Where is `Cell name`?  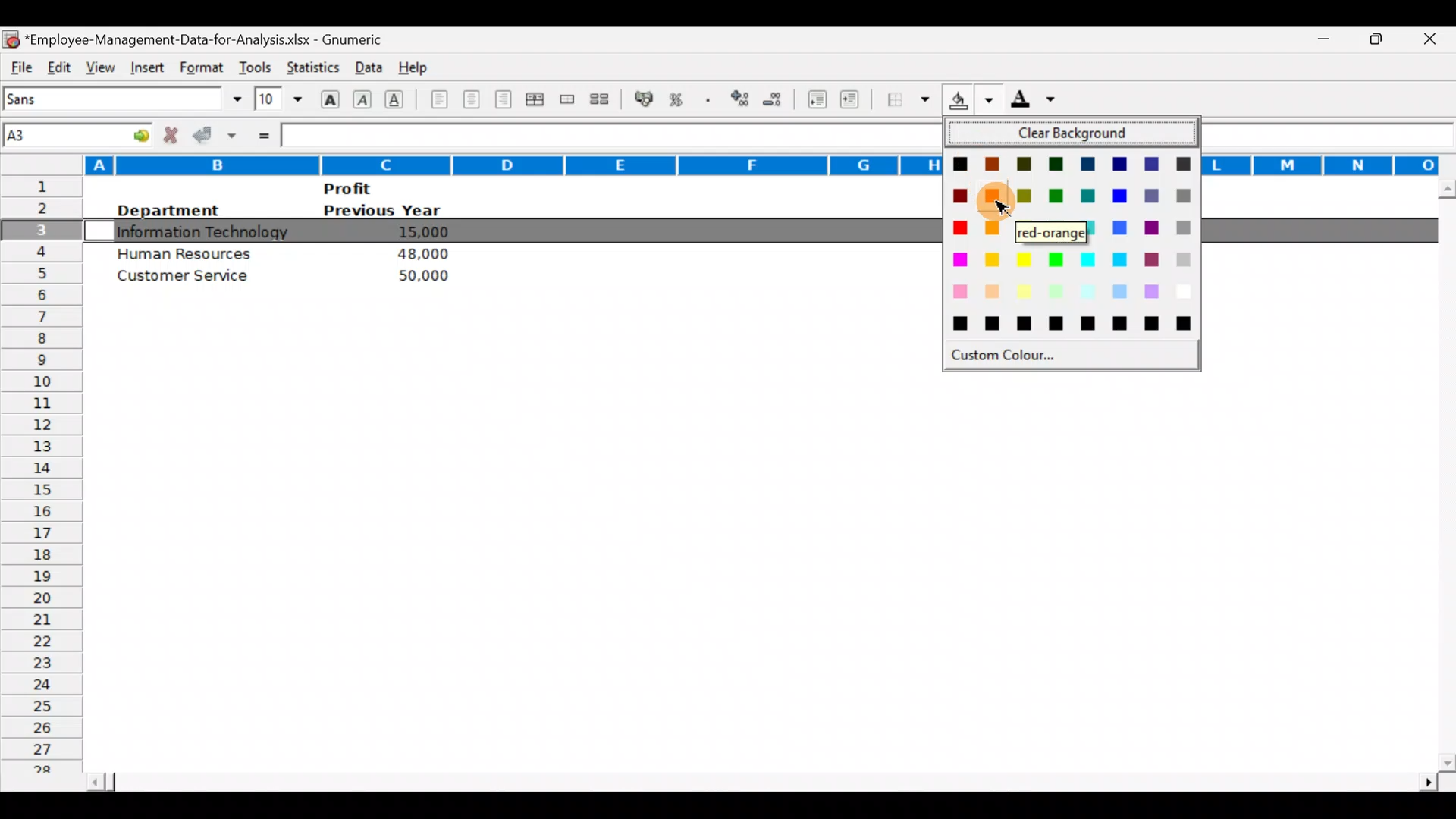
Cell name is located at coordinates (79, 131).